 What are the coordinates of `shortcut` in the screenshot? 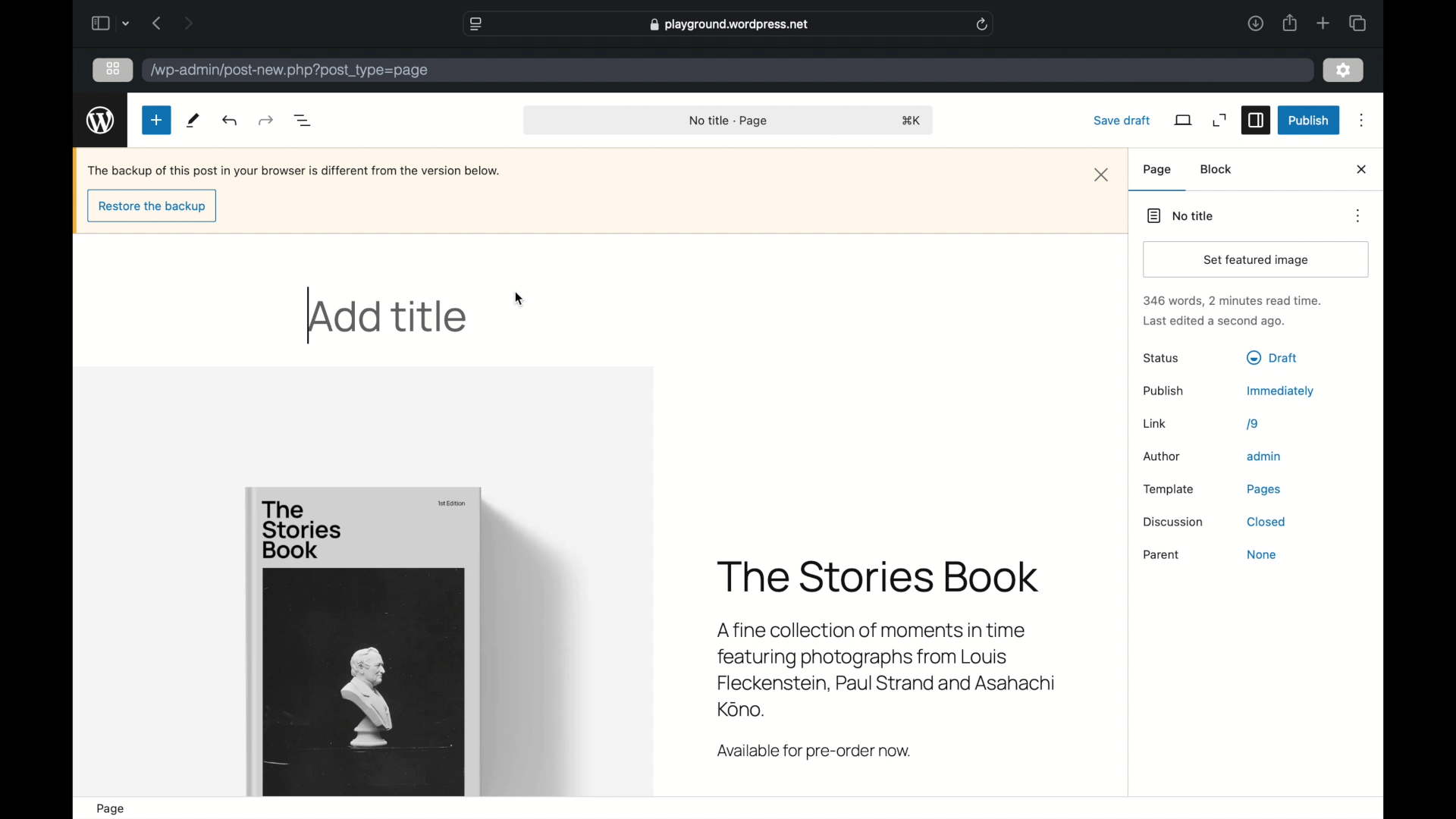 It's located at (914, 121).